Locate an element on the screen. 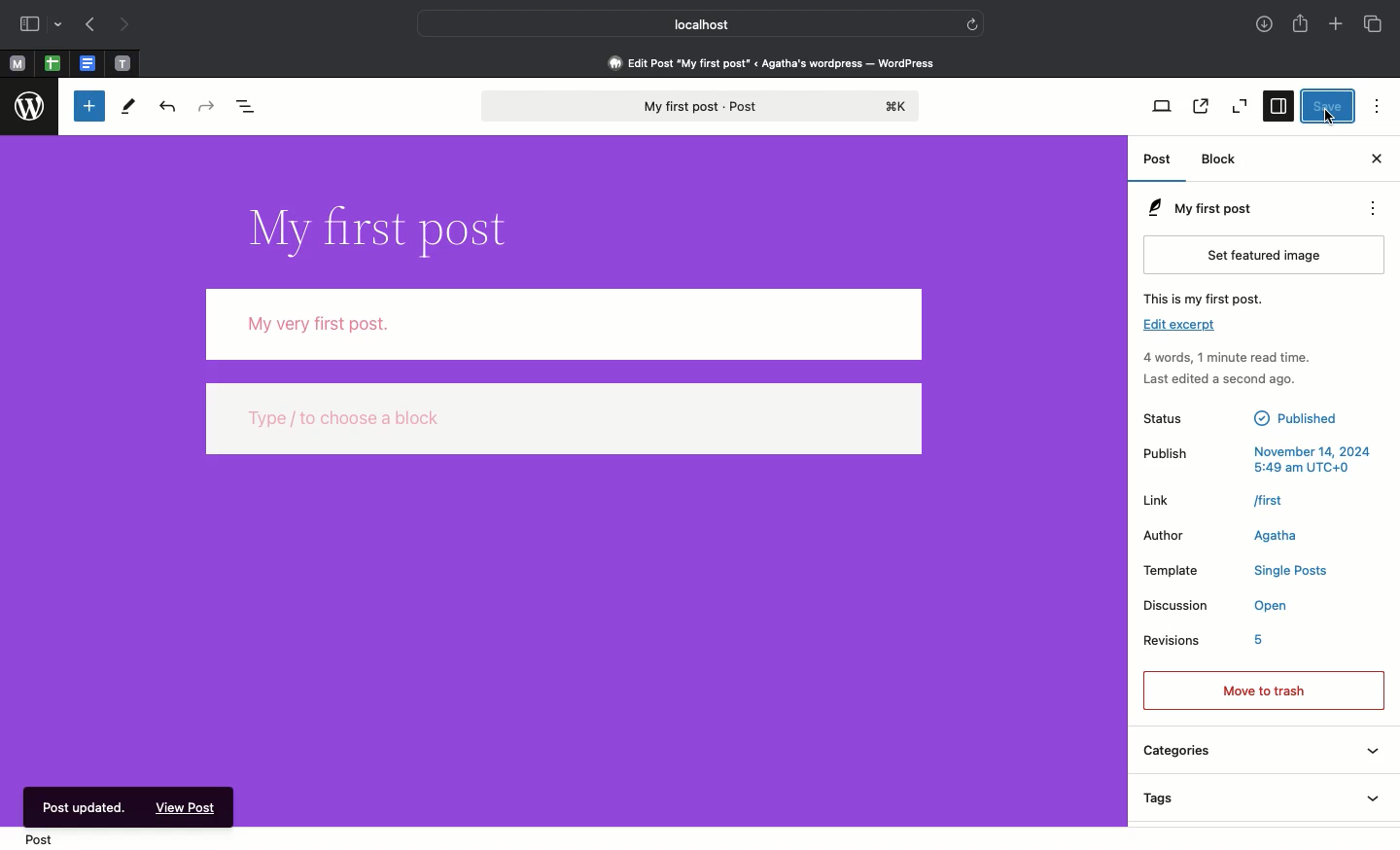 This screenshot has height=850, width=1400. Categories is located at coordinates (1260, 747).